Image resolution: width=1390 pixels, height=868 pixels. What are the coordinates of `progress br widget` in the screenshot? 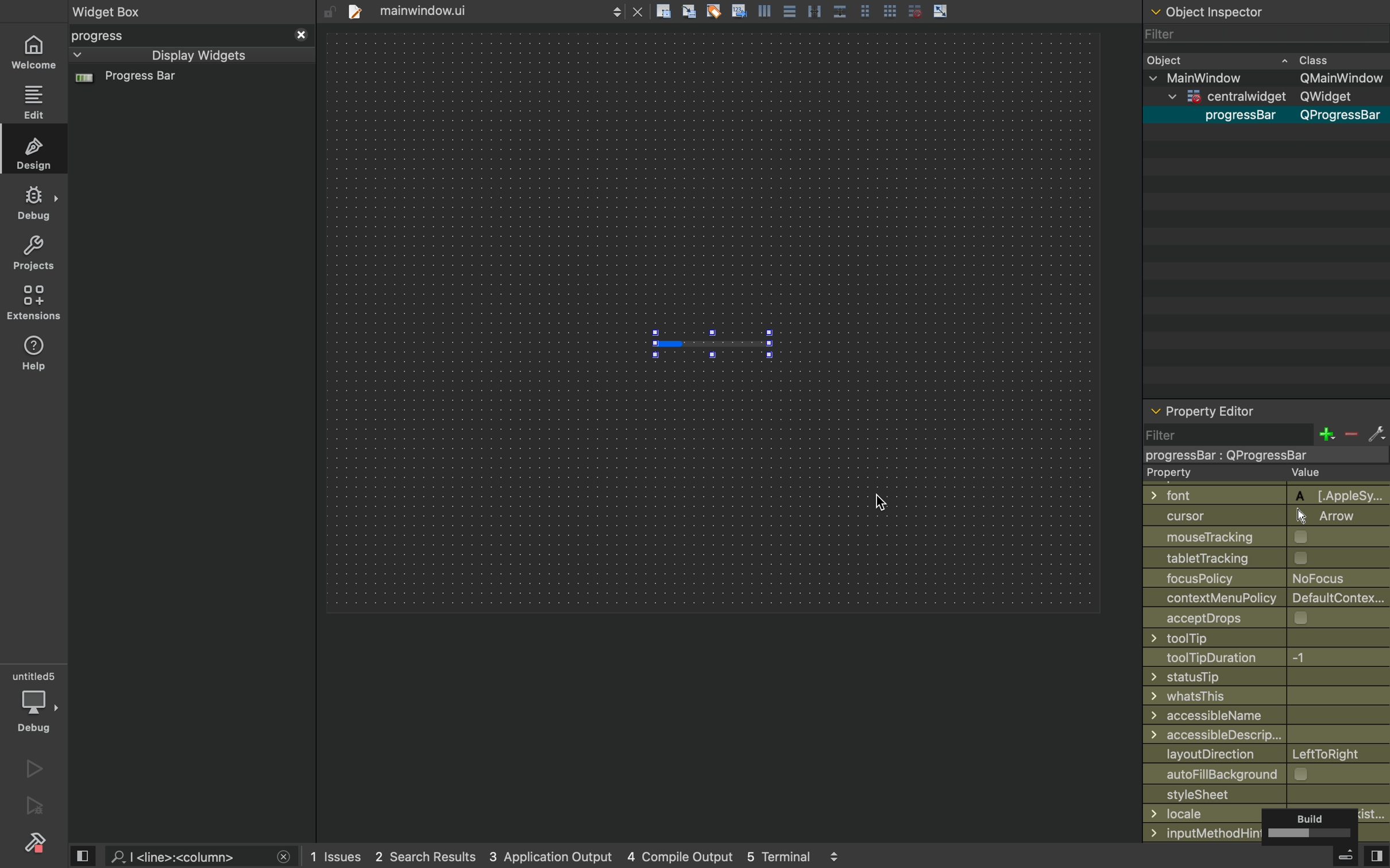 It's located at (188, 83).